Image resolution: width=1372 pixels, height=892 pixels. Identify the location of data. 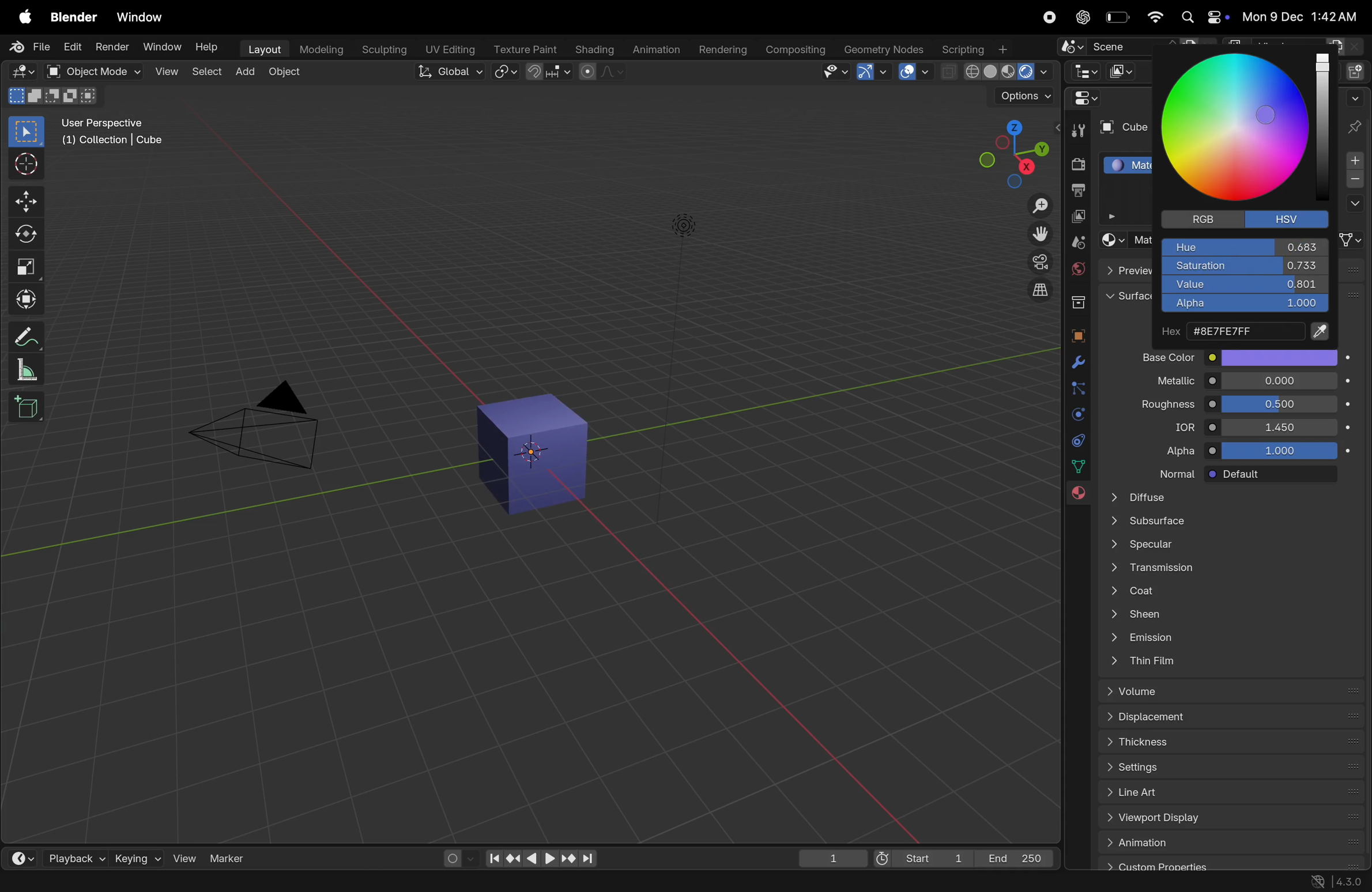
(1080, 466).